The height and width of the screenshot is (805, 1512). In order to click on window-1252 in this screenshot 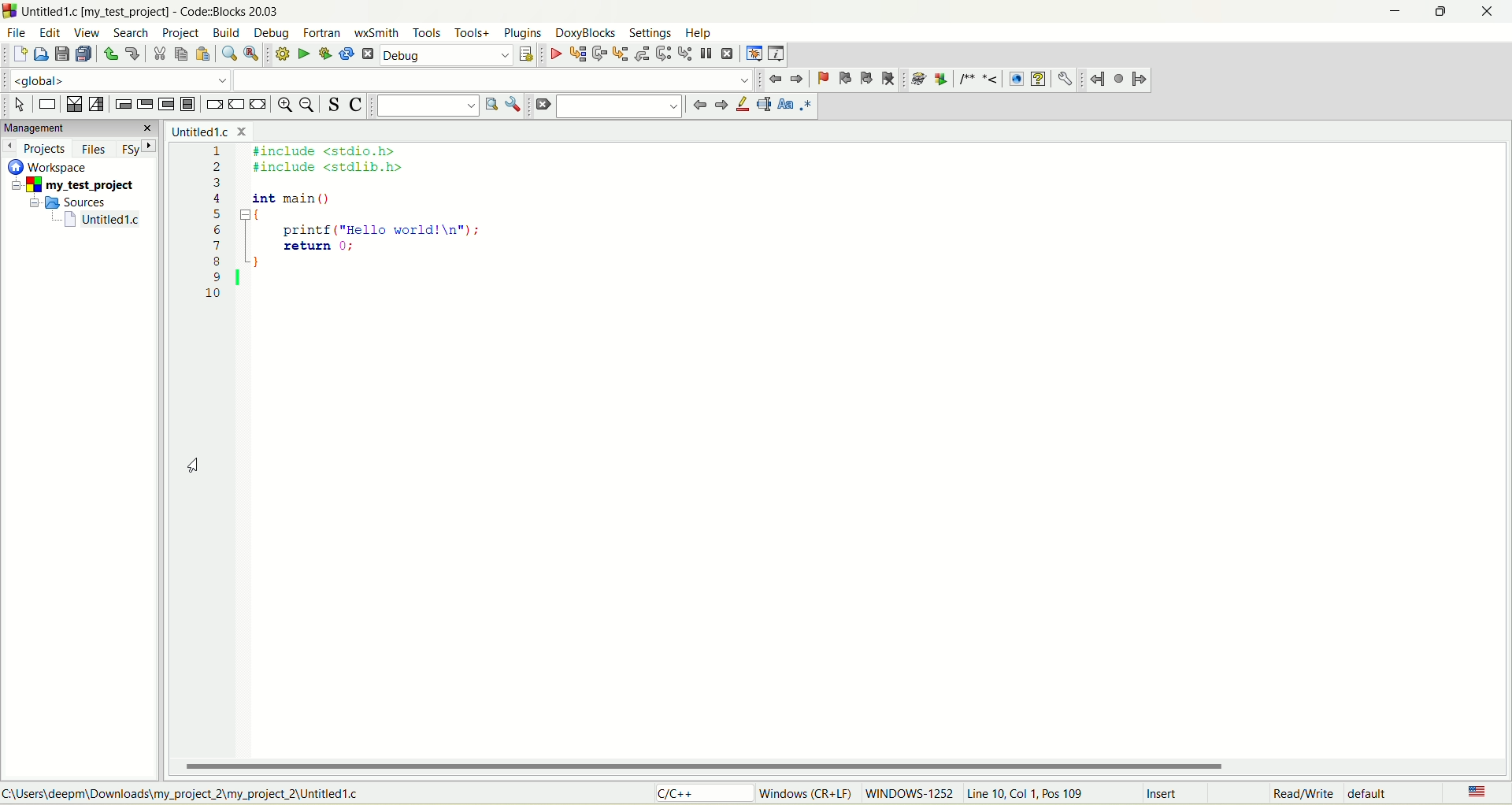, I will do `click(910, 796)`.